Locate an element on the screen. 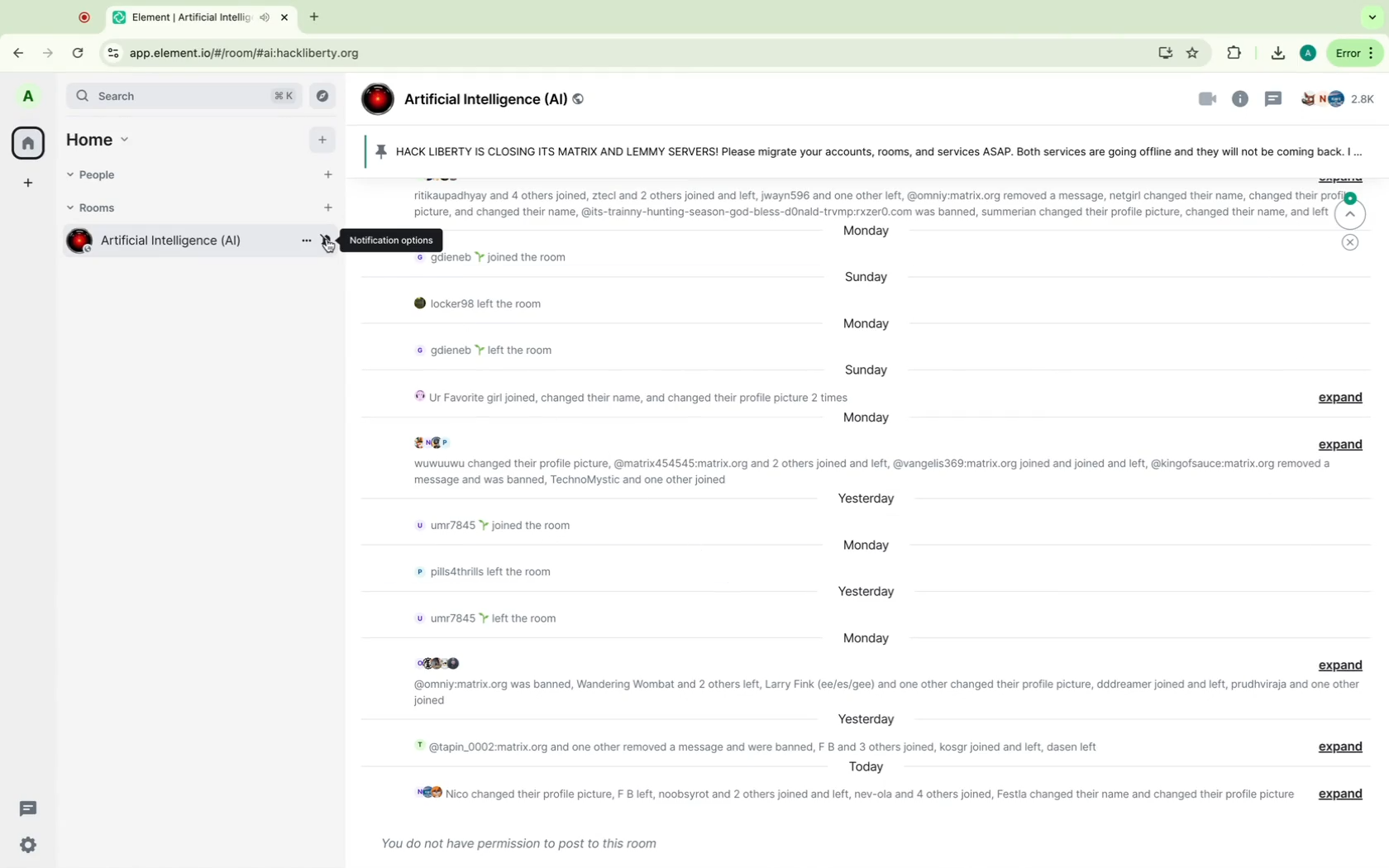 The height and width of the screenshot is (868, 1389). more is located at coordinates (1354, 54).